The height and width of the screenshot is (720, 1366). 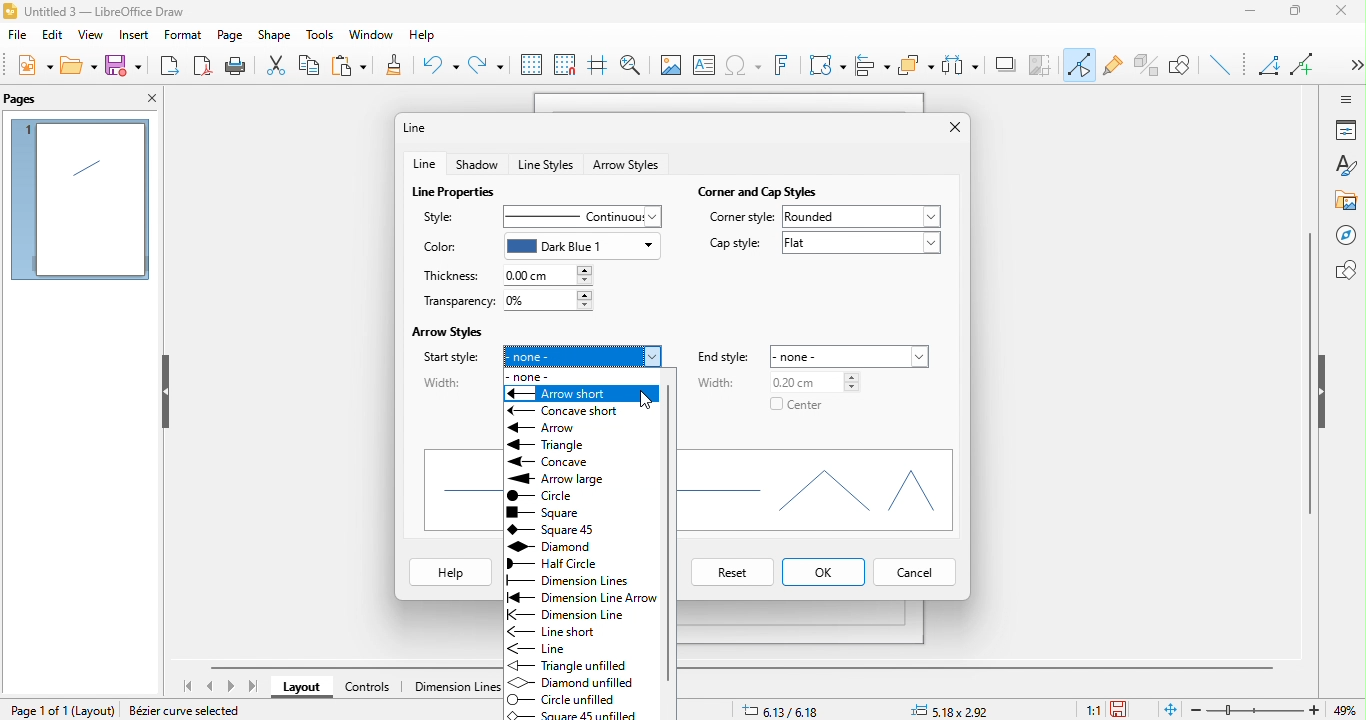 What do you see at coordinates (368, 689) in the screenshot?
I see `controls` at bounding box center [368, 689].